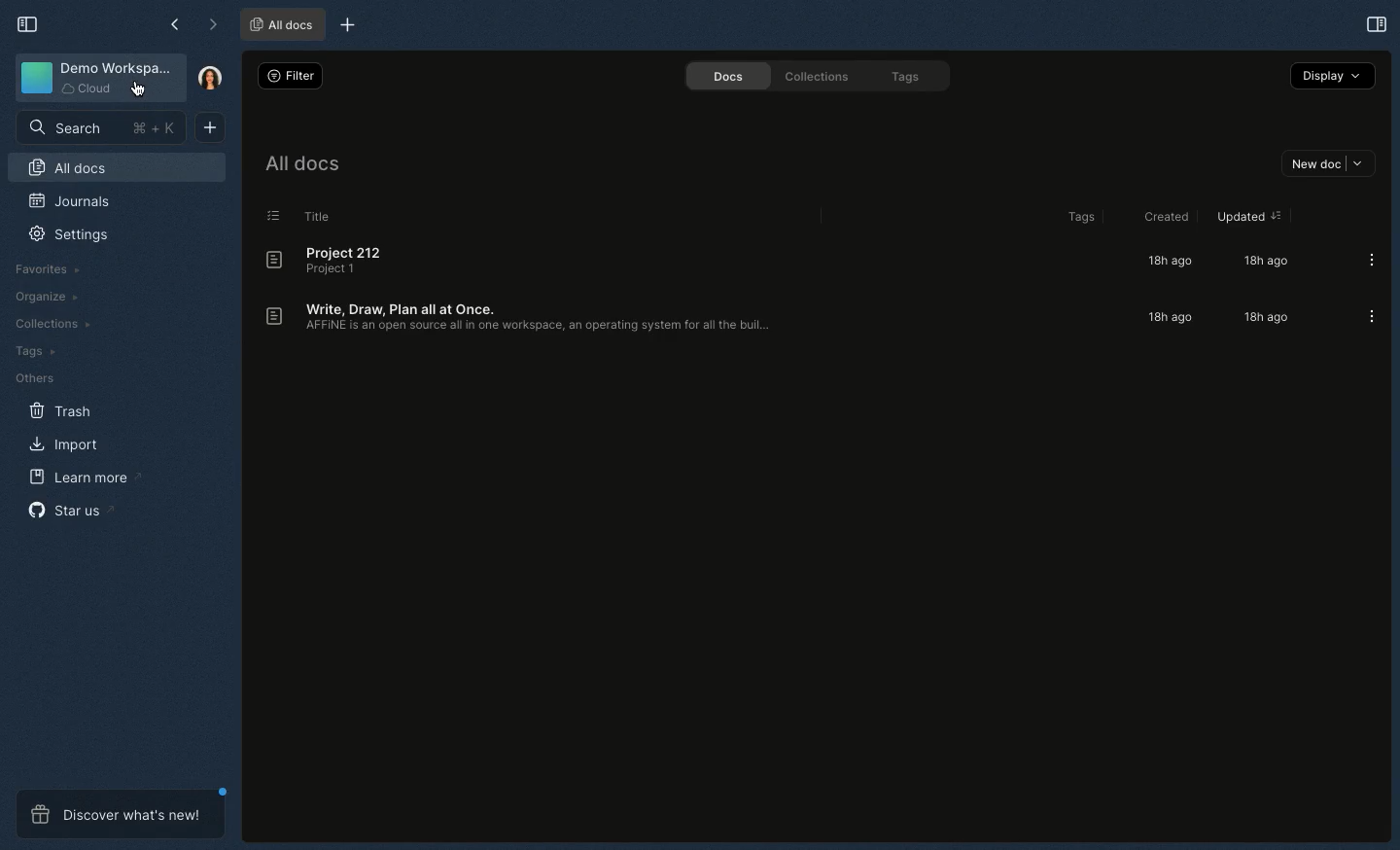  What do you see at coordinates (282, 23) in the screenshot?
I see `All docs` at bounding box center [282, 23].